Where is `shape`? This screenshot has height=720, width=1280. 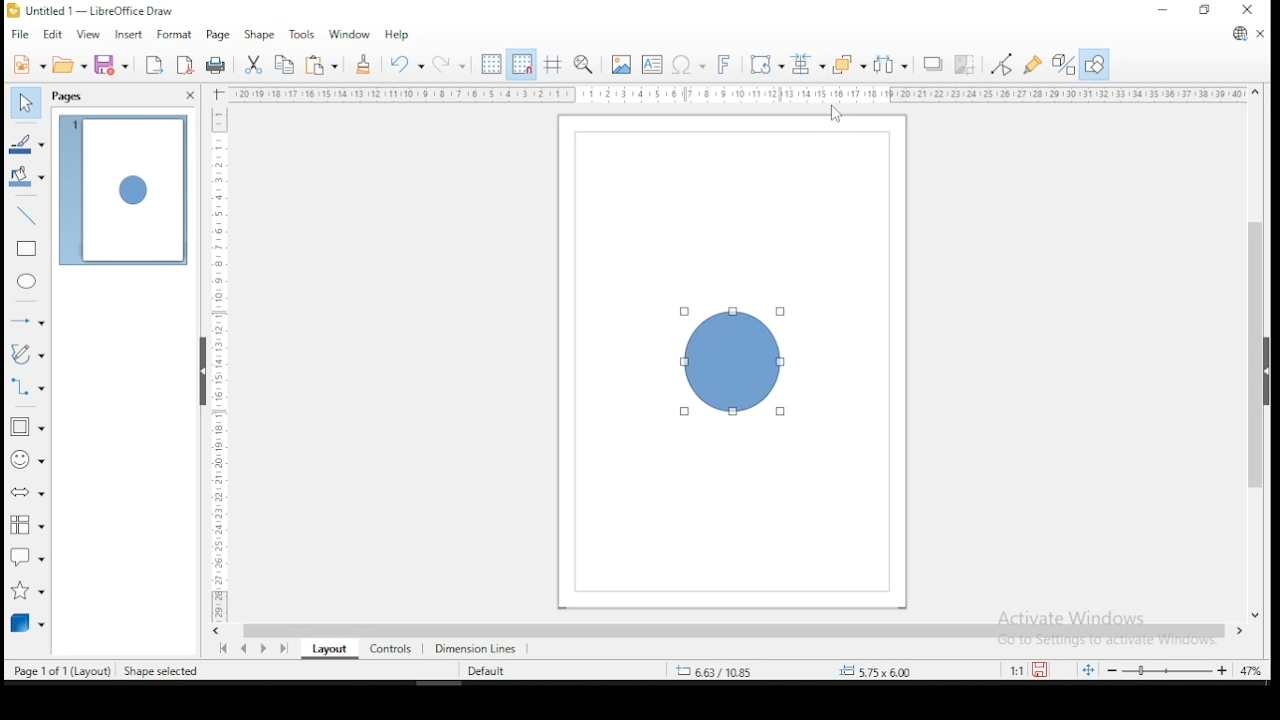
shape is located at coordinates (258, 36).